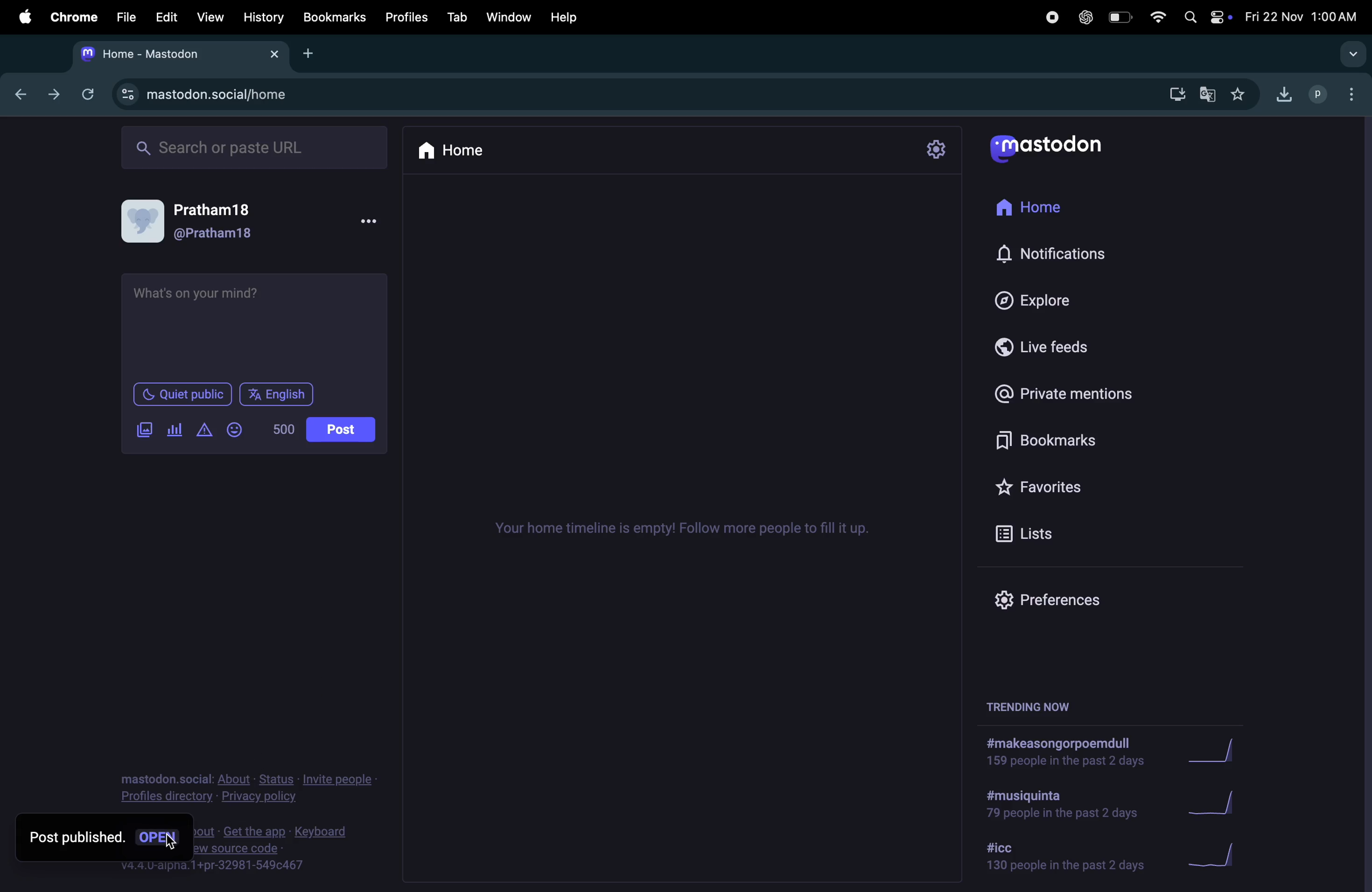  Describe the element at coordinates (235, 780) in the screenshot. I see `about` at that location.